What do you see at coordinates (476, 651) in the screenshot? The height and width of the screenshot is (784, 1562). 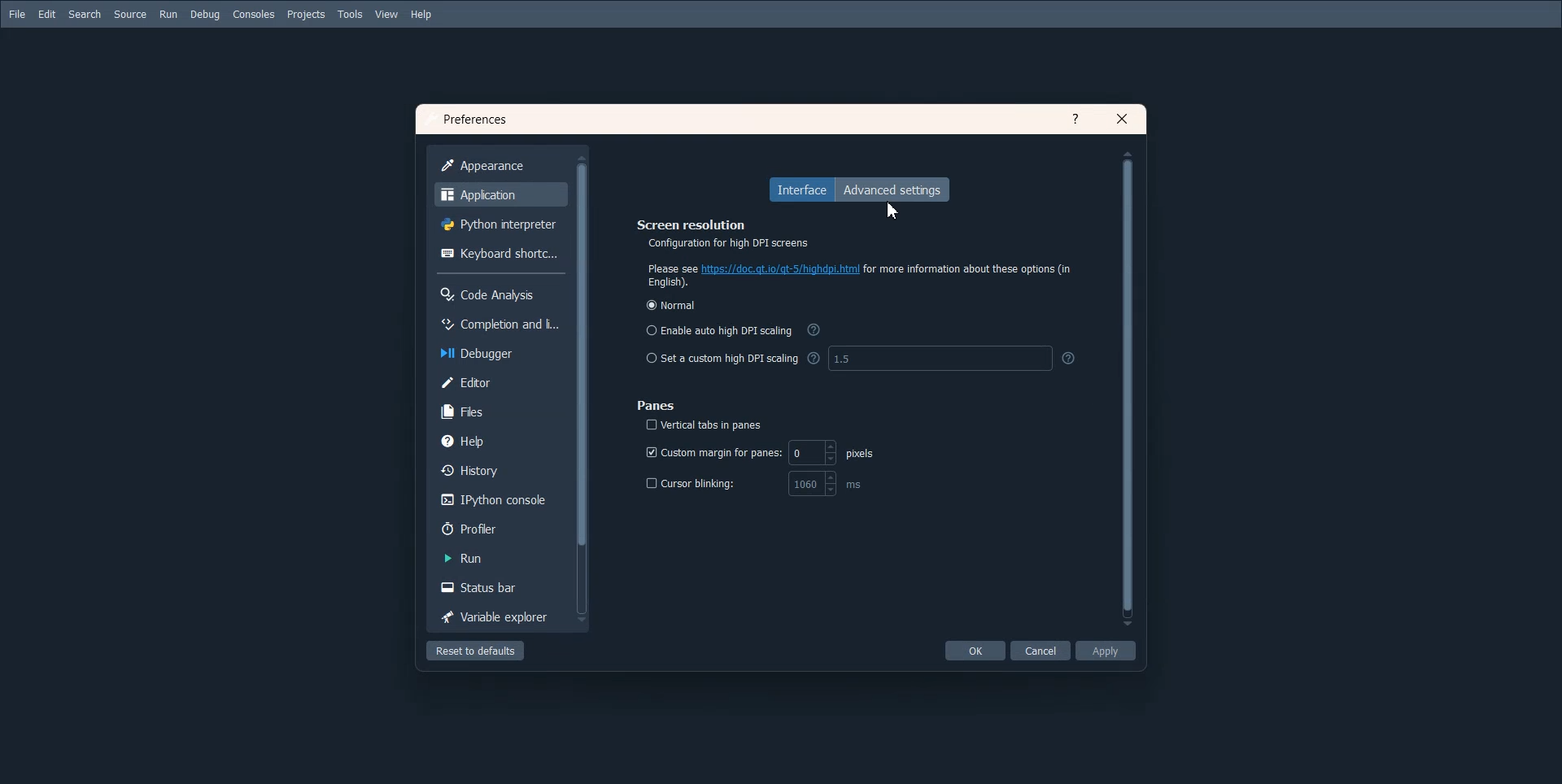 I see `Reset to default` at bounding box center [476, 651].